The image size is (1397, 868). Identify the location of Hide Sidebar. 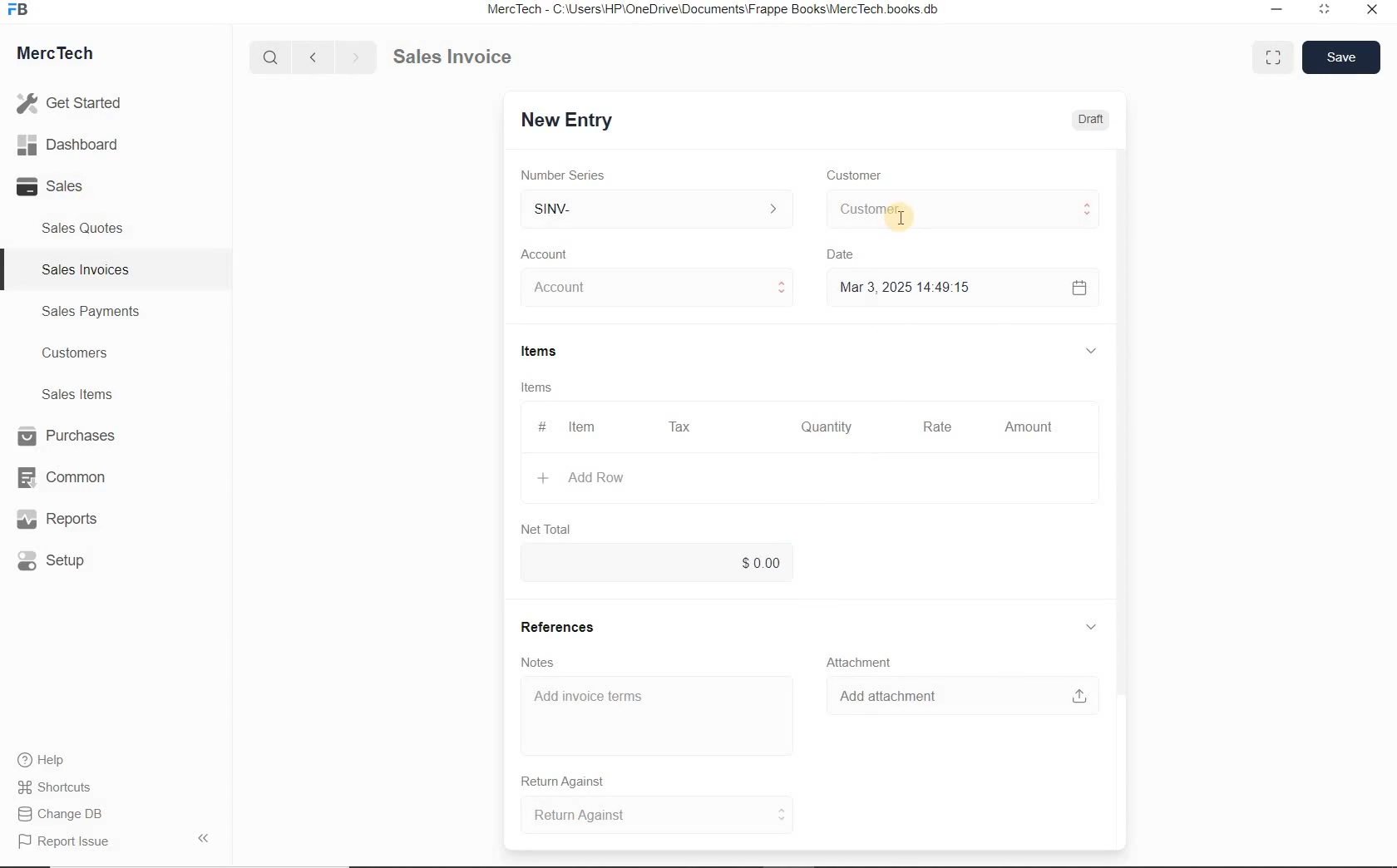
(202, 837).